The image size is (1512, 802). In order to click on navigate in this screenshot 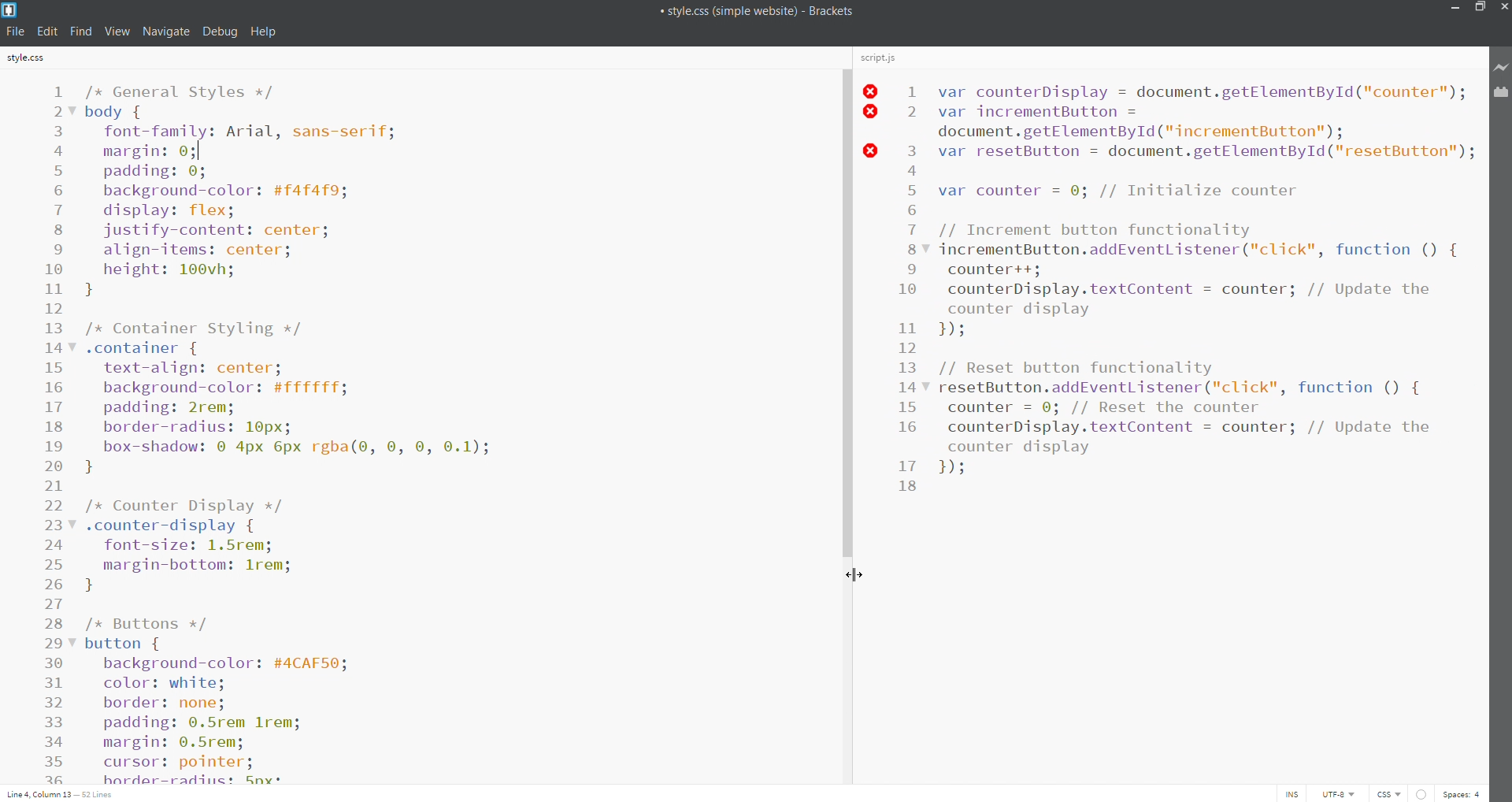, I will do `click(166, 32)`.